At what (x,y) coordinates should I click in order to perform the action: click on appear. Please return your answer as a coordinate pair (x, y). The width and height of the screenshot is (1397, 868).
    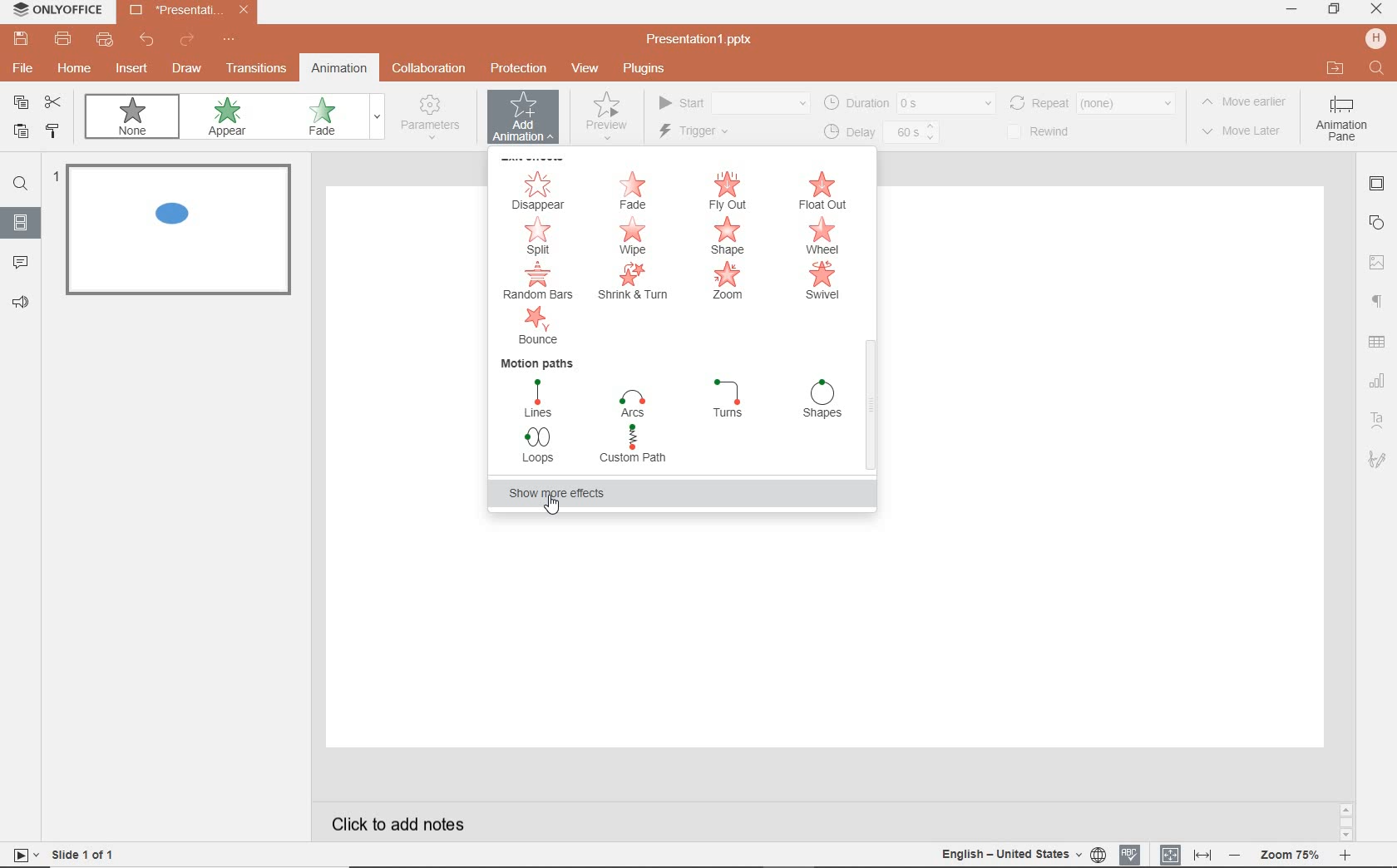
    Looking at the image, I should click on (230, 119).